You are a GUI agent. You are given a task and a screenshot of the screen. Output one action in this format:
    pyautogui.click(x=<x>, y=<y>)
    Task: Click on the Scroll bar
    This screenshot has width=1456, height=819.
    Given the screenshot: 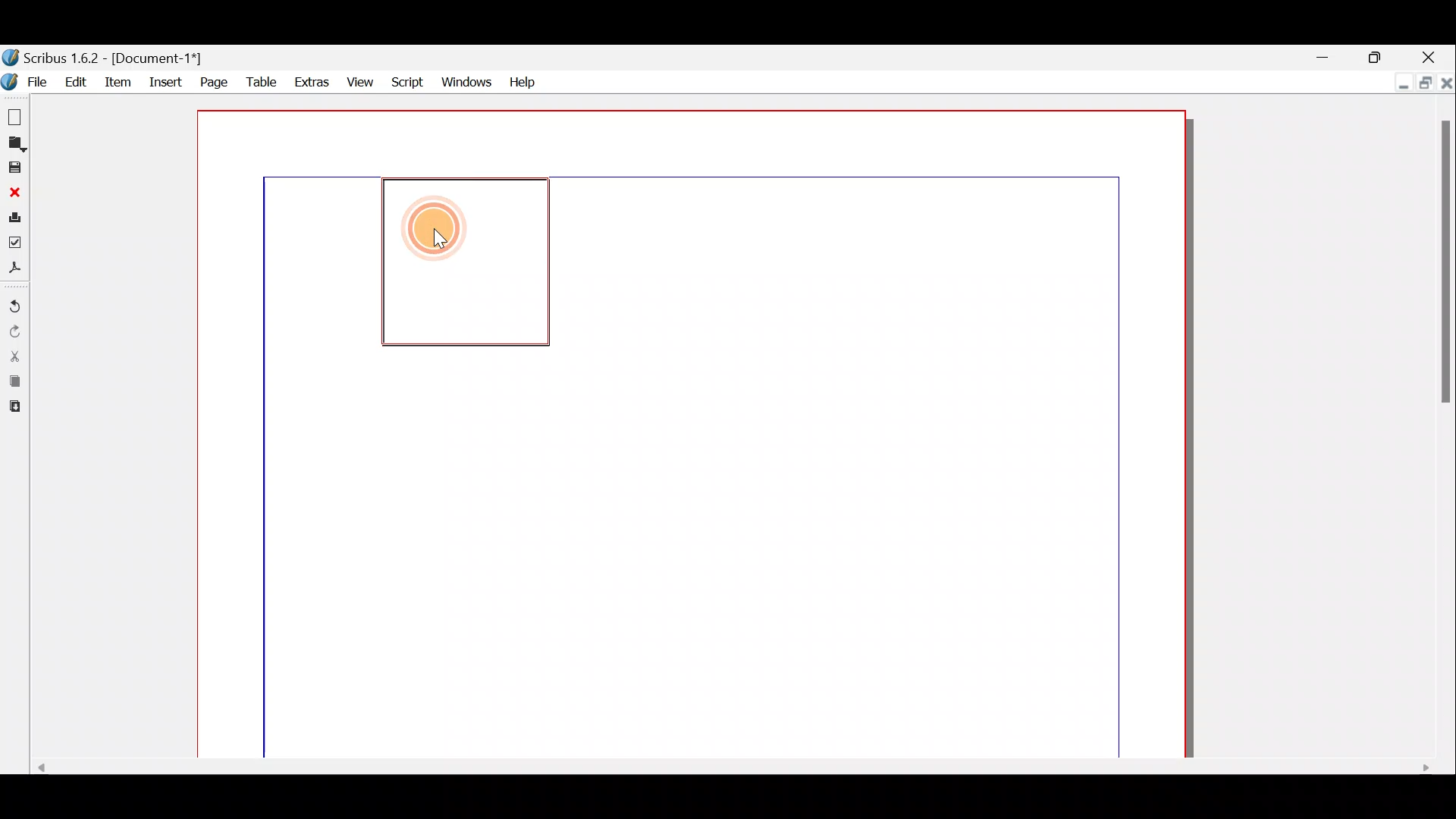 What is the action you would take?
    pyautogui.click(x=724, y=766)
    